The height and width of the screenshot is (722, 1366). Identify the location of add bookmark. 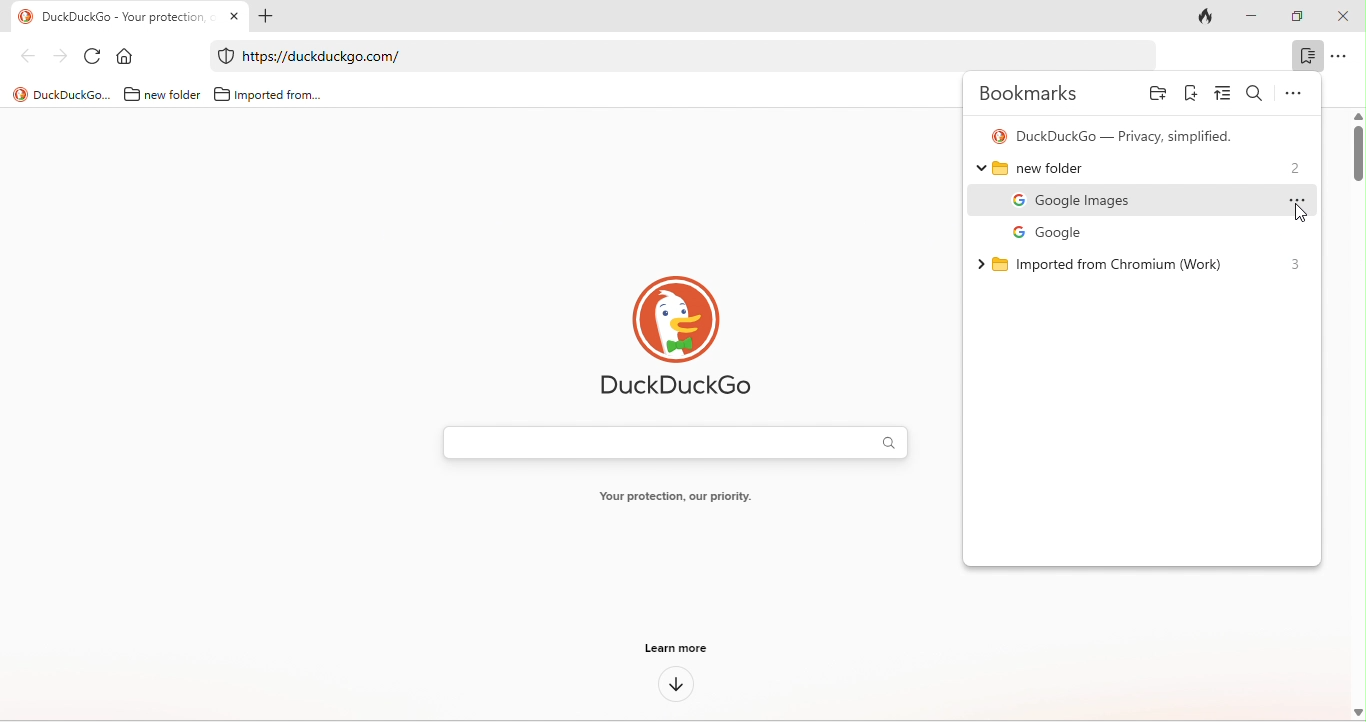
(1190, 94).